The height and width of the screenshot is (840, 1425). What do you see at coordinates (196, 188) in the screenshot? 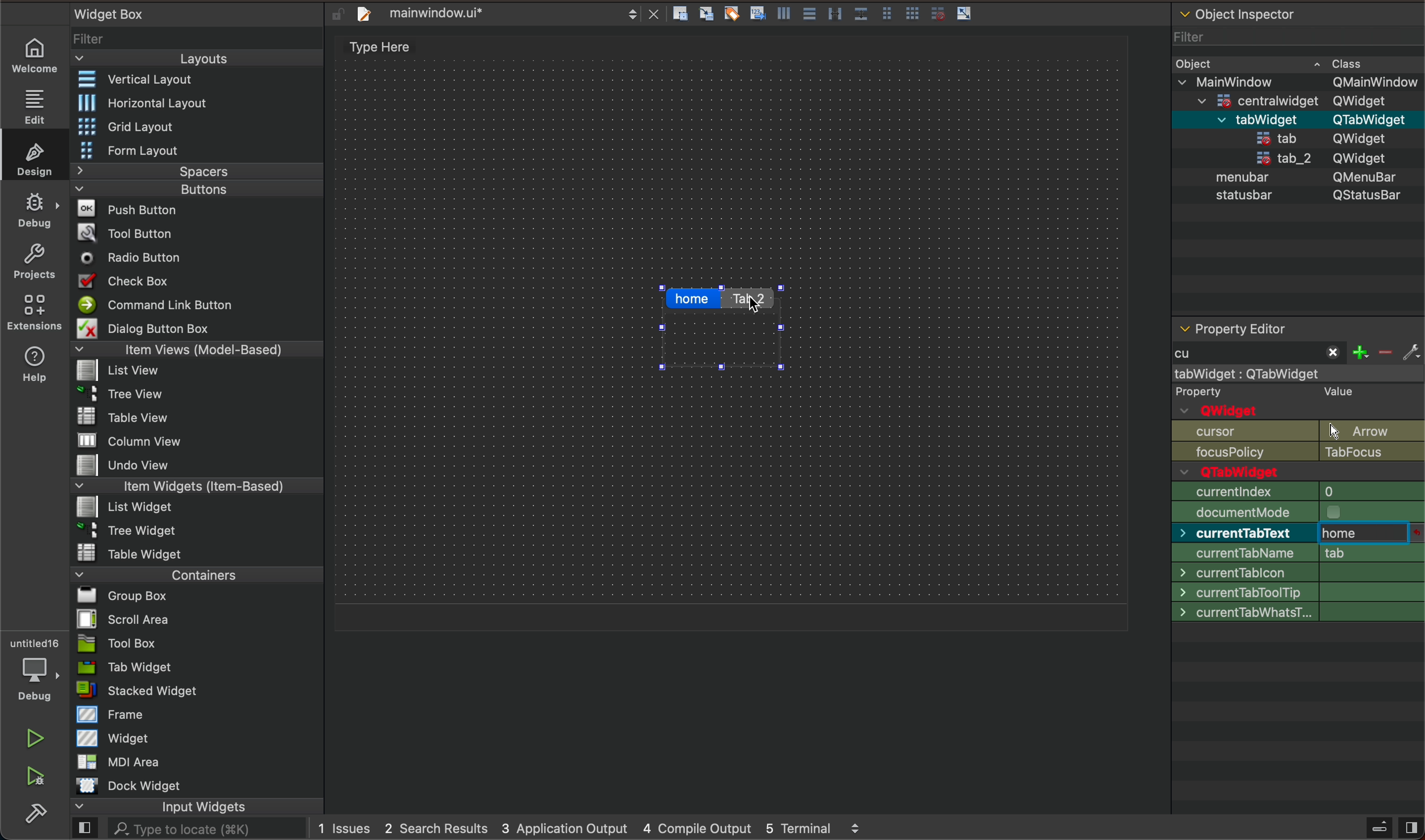
I see `Buttons` at bounding box center [196, 188].